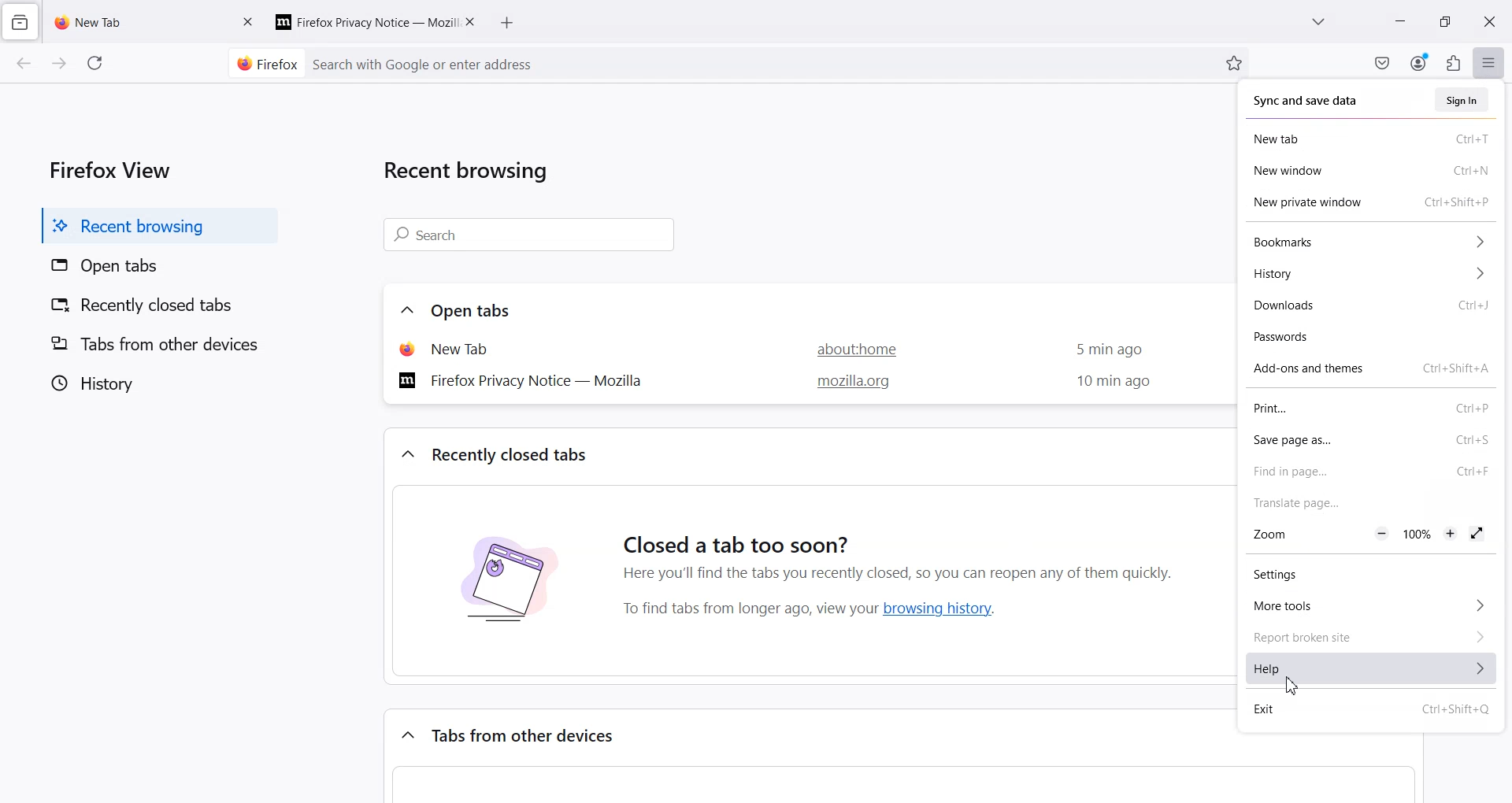  I want to click on Maximize, so click(1445, 21).